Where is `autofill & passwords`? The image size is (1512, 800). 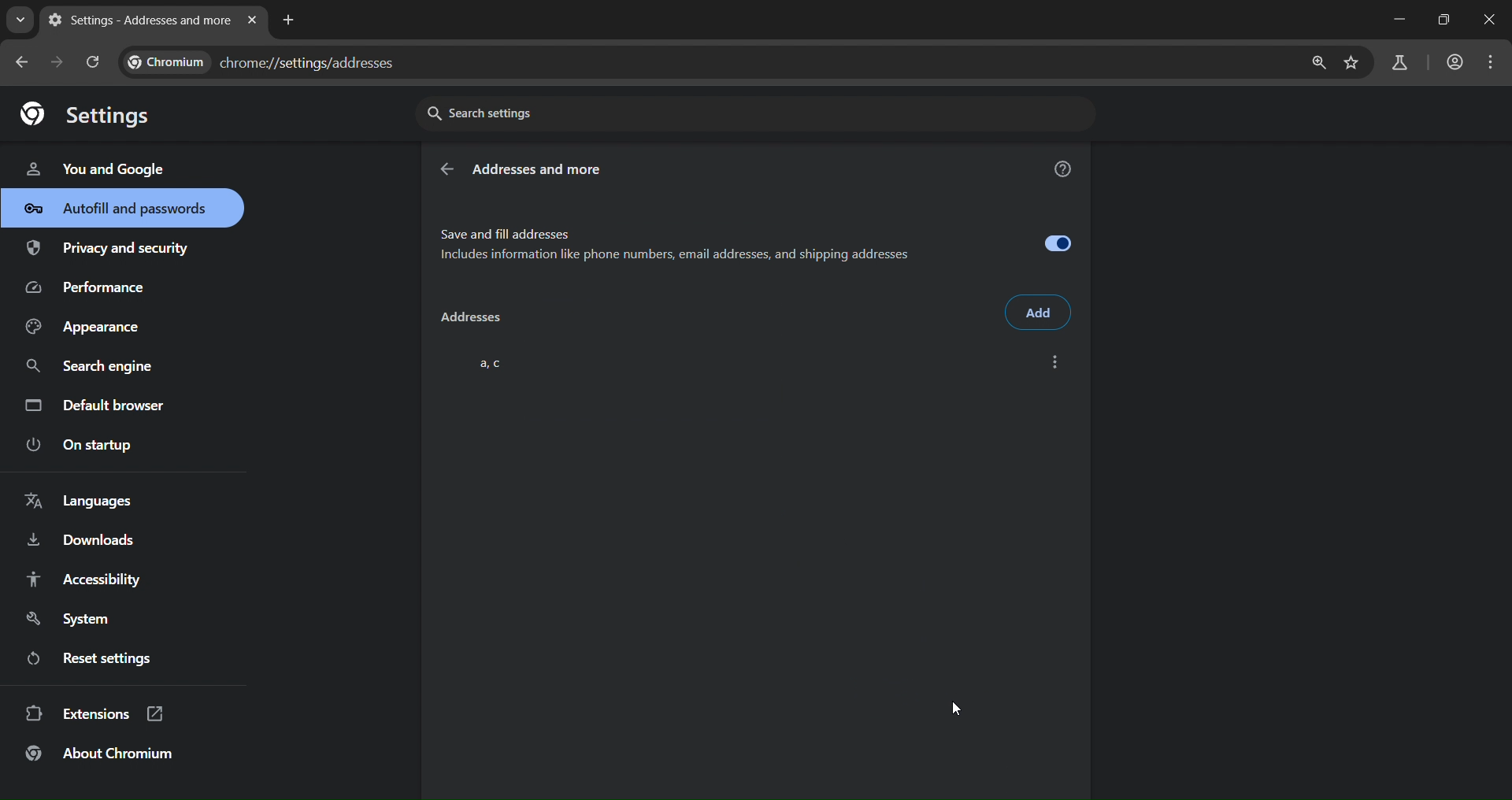 autofill & passwords is located at coordinates (122, 208).